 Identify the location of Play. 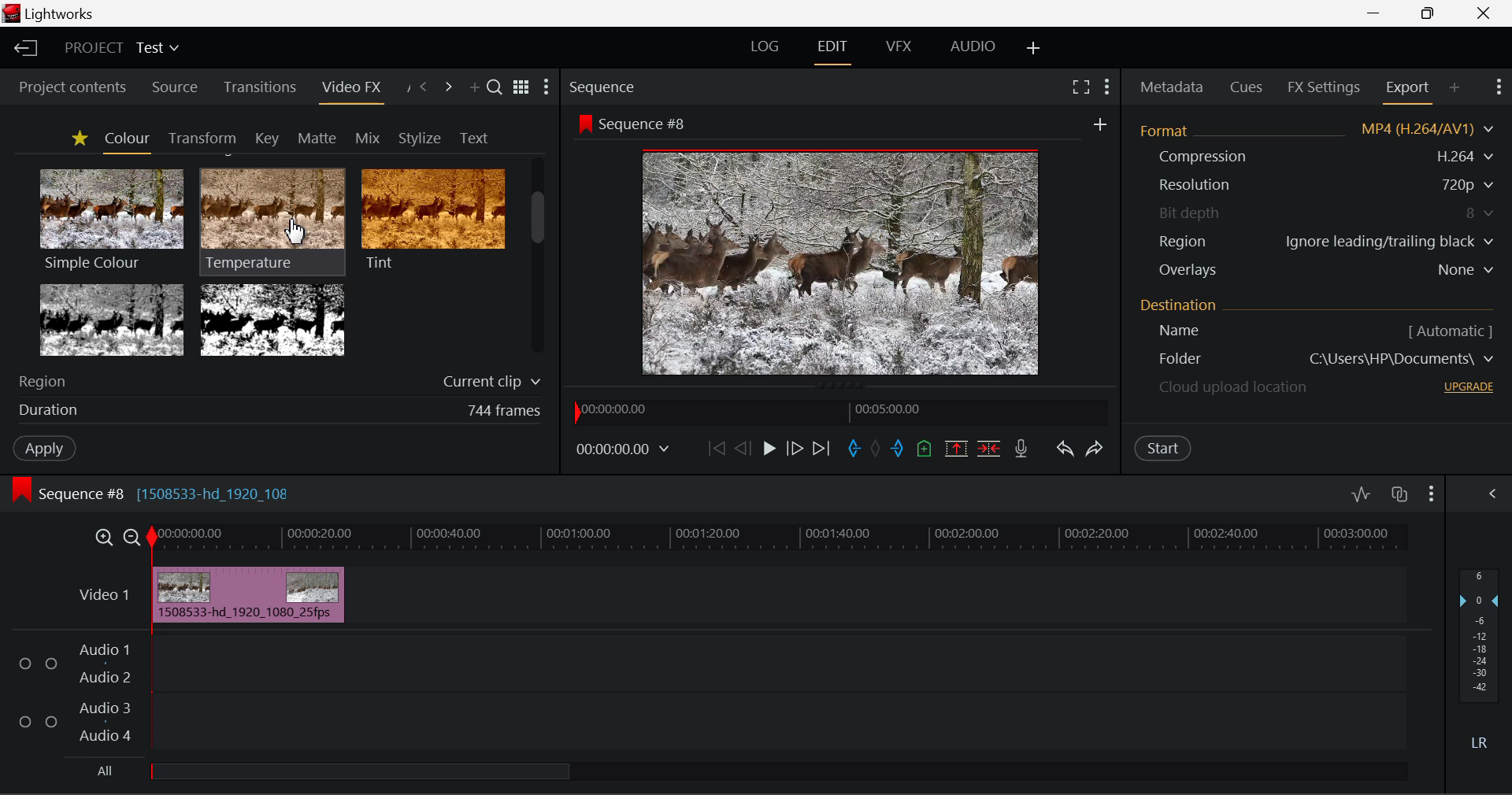
(769, 451).